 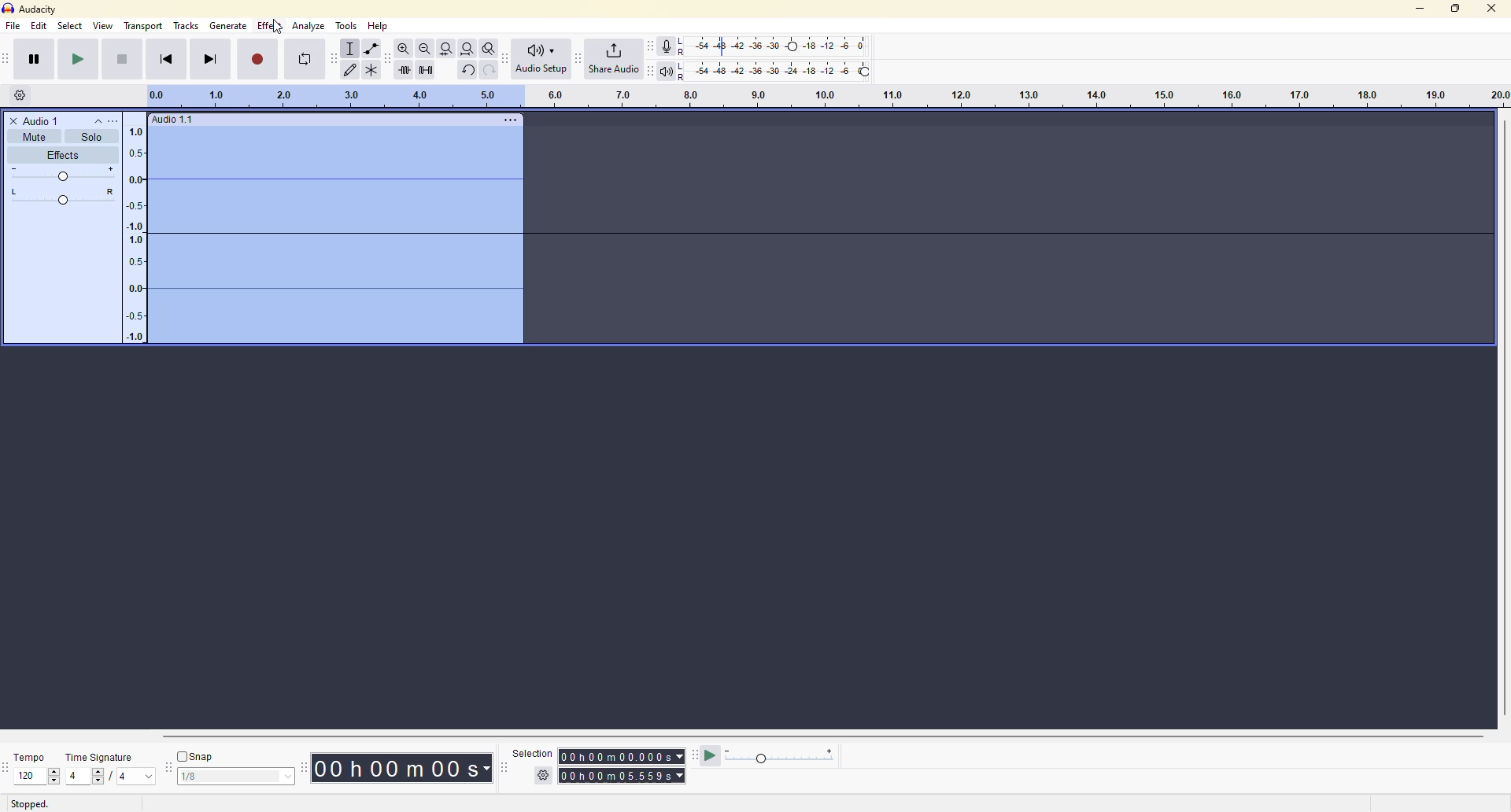 What do you see at coordinates (530, 752) in the screenshot?
I see `selection` at bounding box center [530, 752].